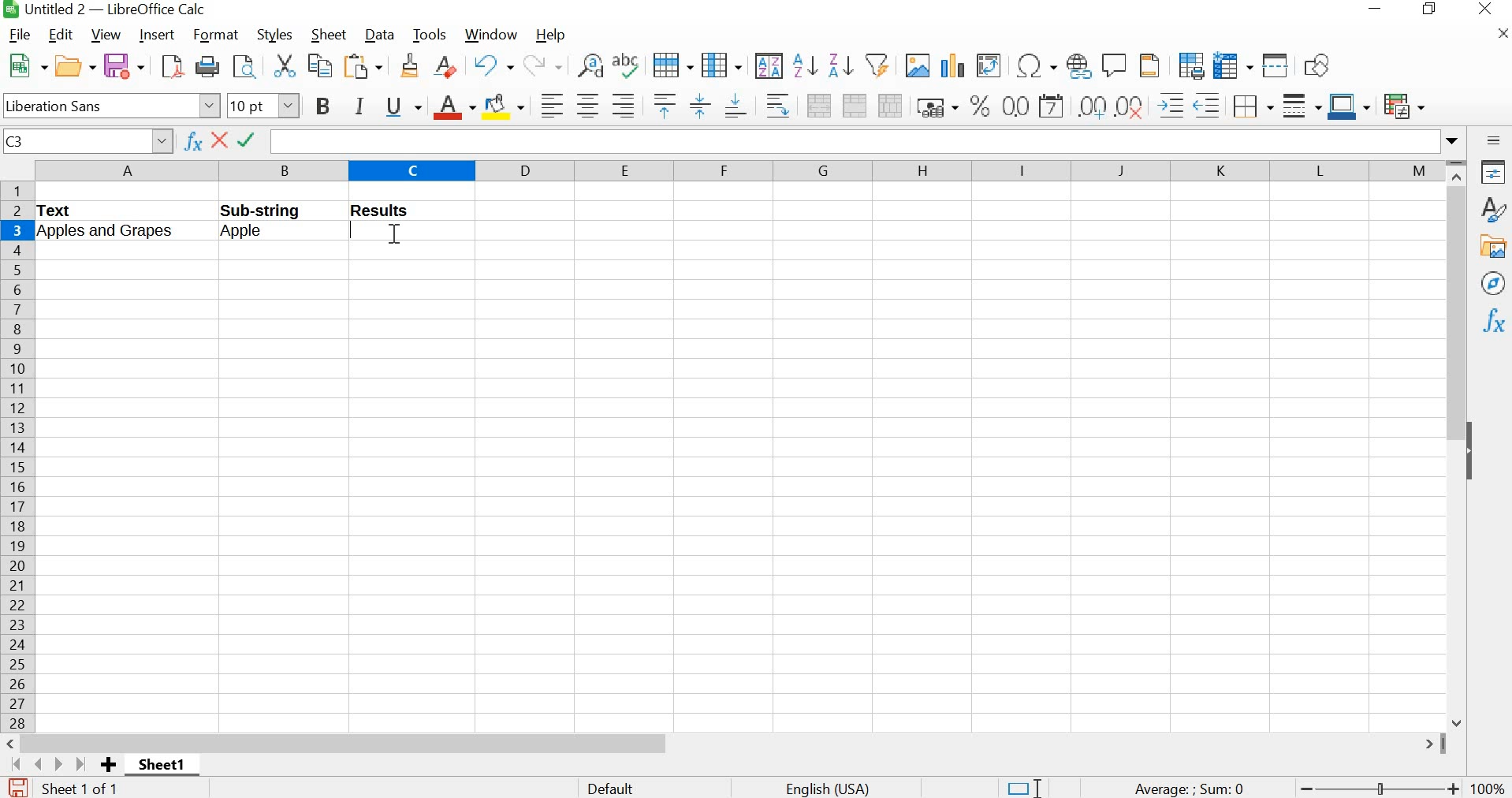 This screenshot has height=798, width=1512. What do you see at coordinates (542, 65) in the screenshot?
I see `redo` at bounding box center [542, 65].